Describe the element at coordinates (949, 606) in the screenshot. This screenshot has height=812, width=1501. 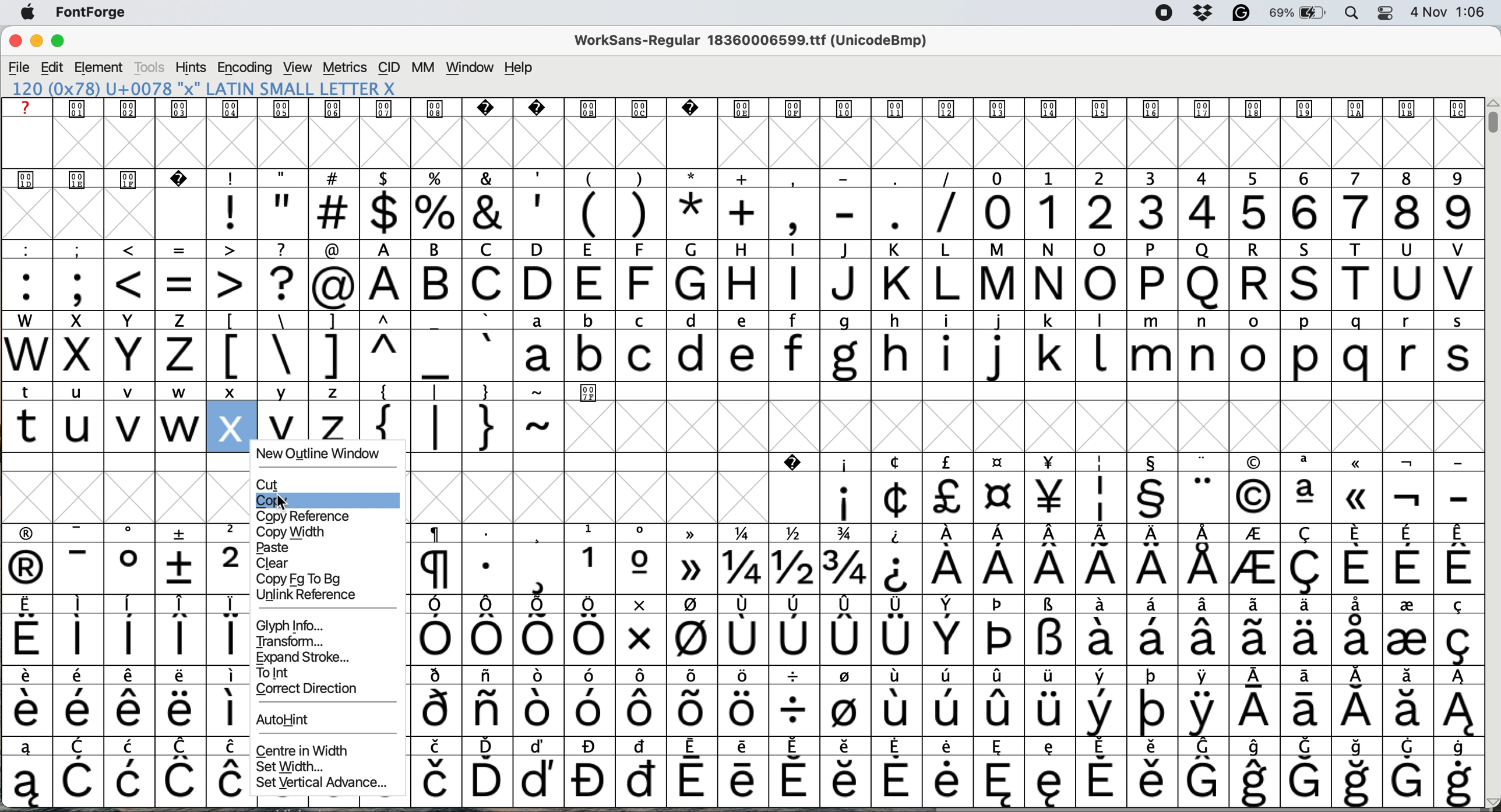
I see `special characters` at that location.